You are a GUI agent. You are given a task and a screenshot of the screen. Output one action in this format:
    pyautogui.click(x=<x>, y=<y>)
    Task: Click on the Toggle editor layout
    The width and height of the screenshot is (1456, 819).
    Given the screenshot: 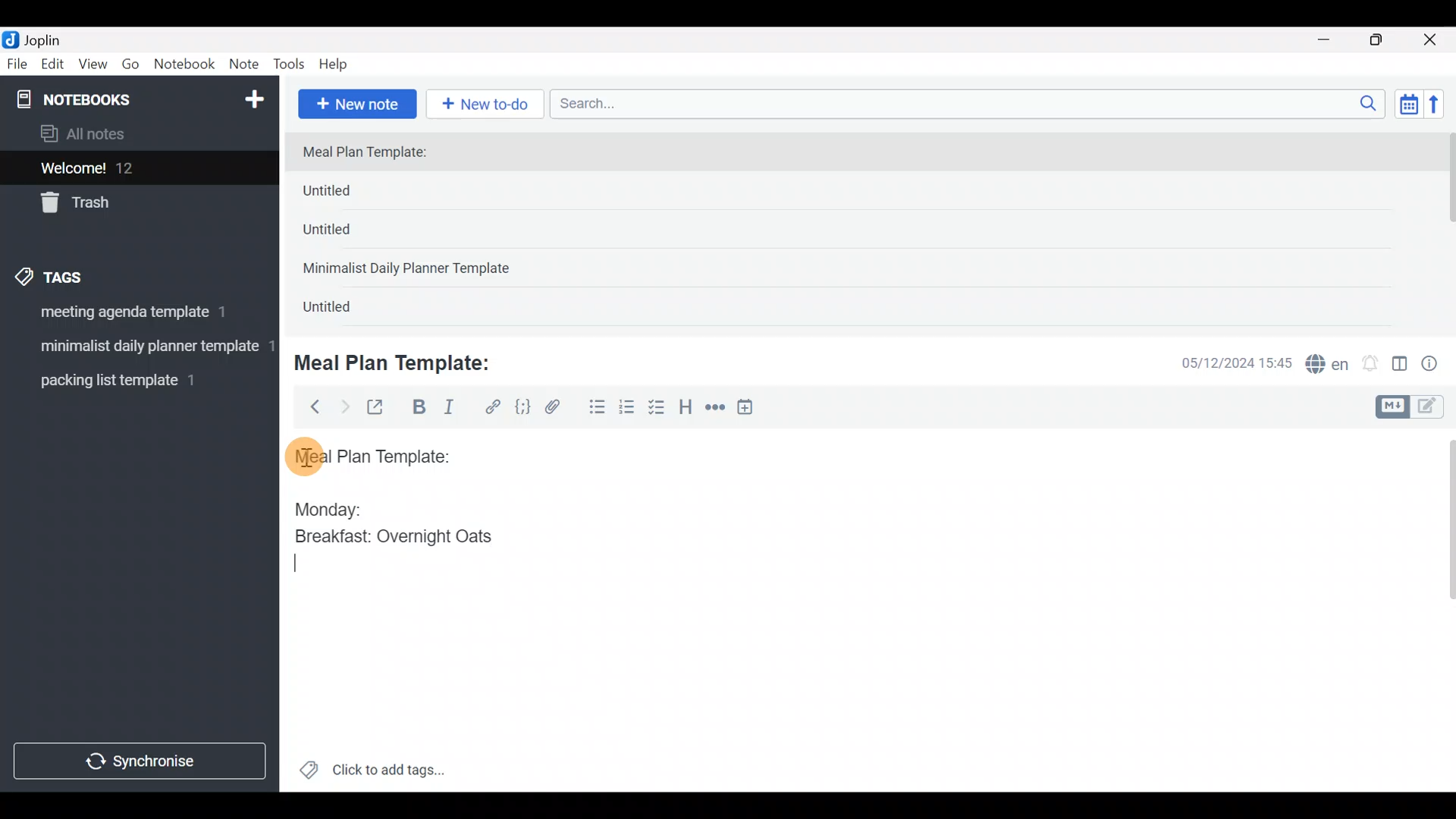 What is the action you would take?
    pyautogui.click(x=1401, y=366)
    